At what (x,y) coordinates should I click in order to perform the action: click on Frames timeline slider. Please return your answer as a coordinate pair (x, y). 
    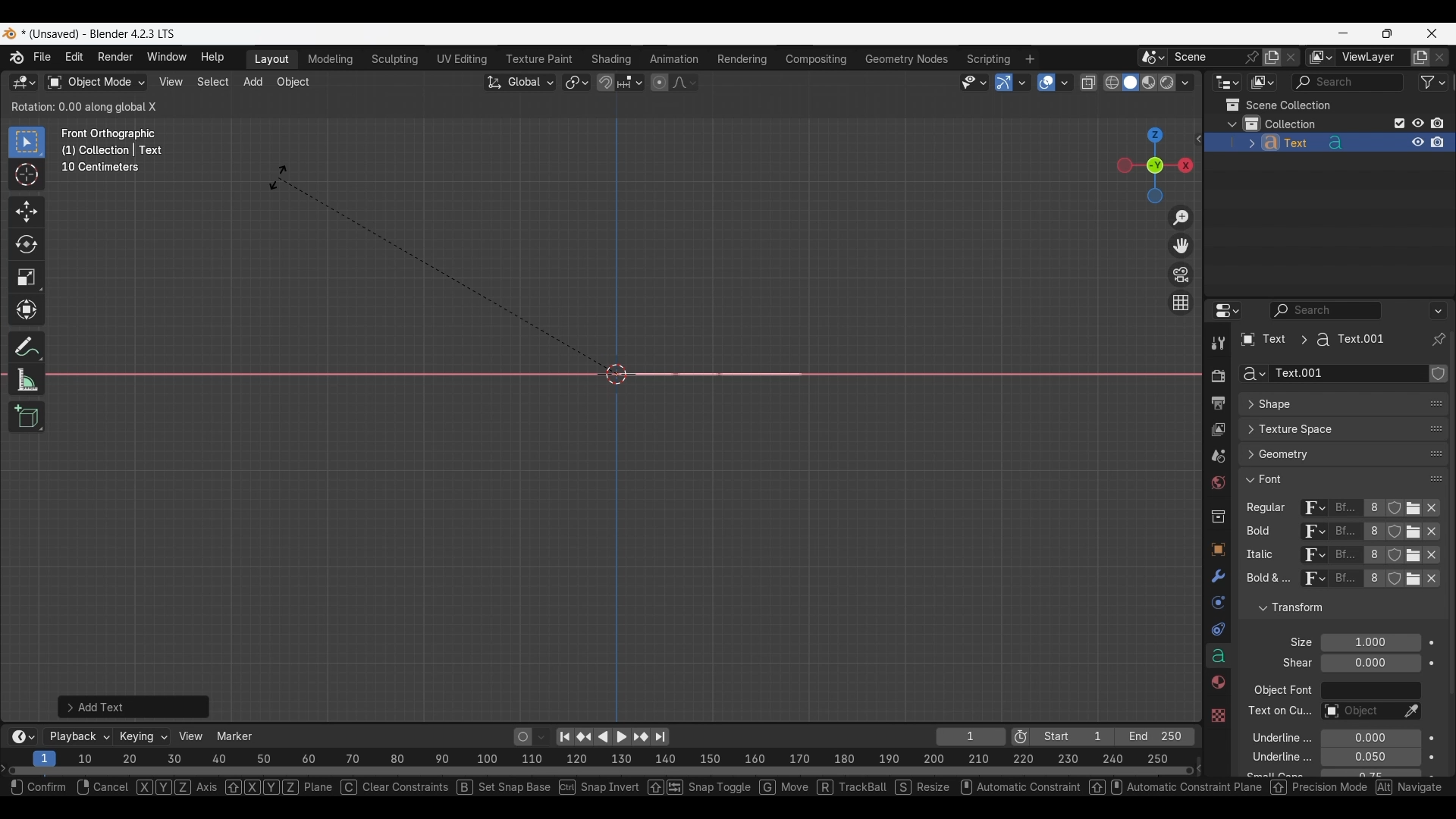
    Looking at the image, I should click on (600, 772).